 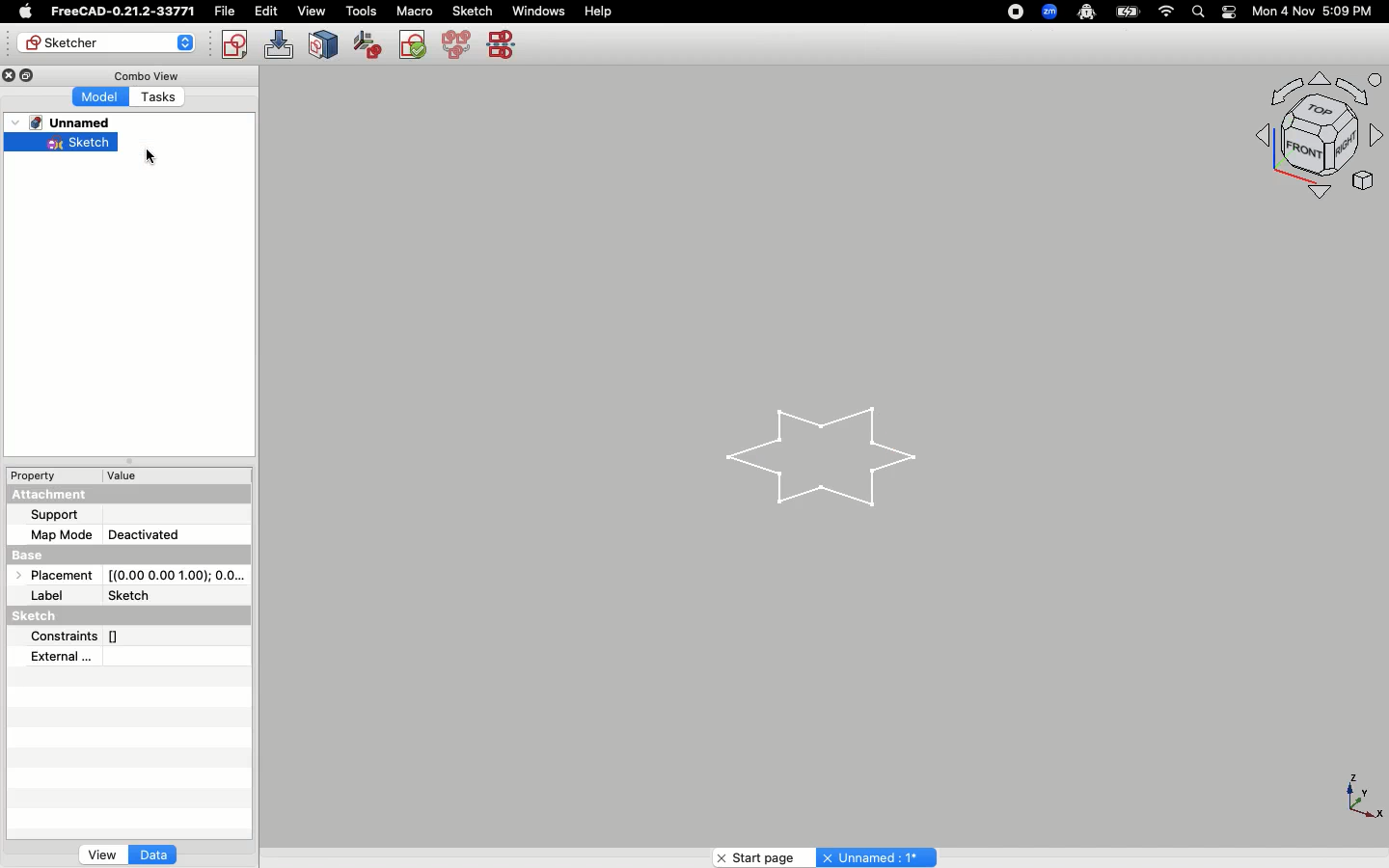 I want to click on Sketch, so click(x=474, y=12).